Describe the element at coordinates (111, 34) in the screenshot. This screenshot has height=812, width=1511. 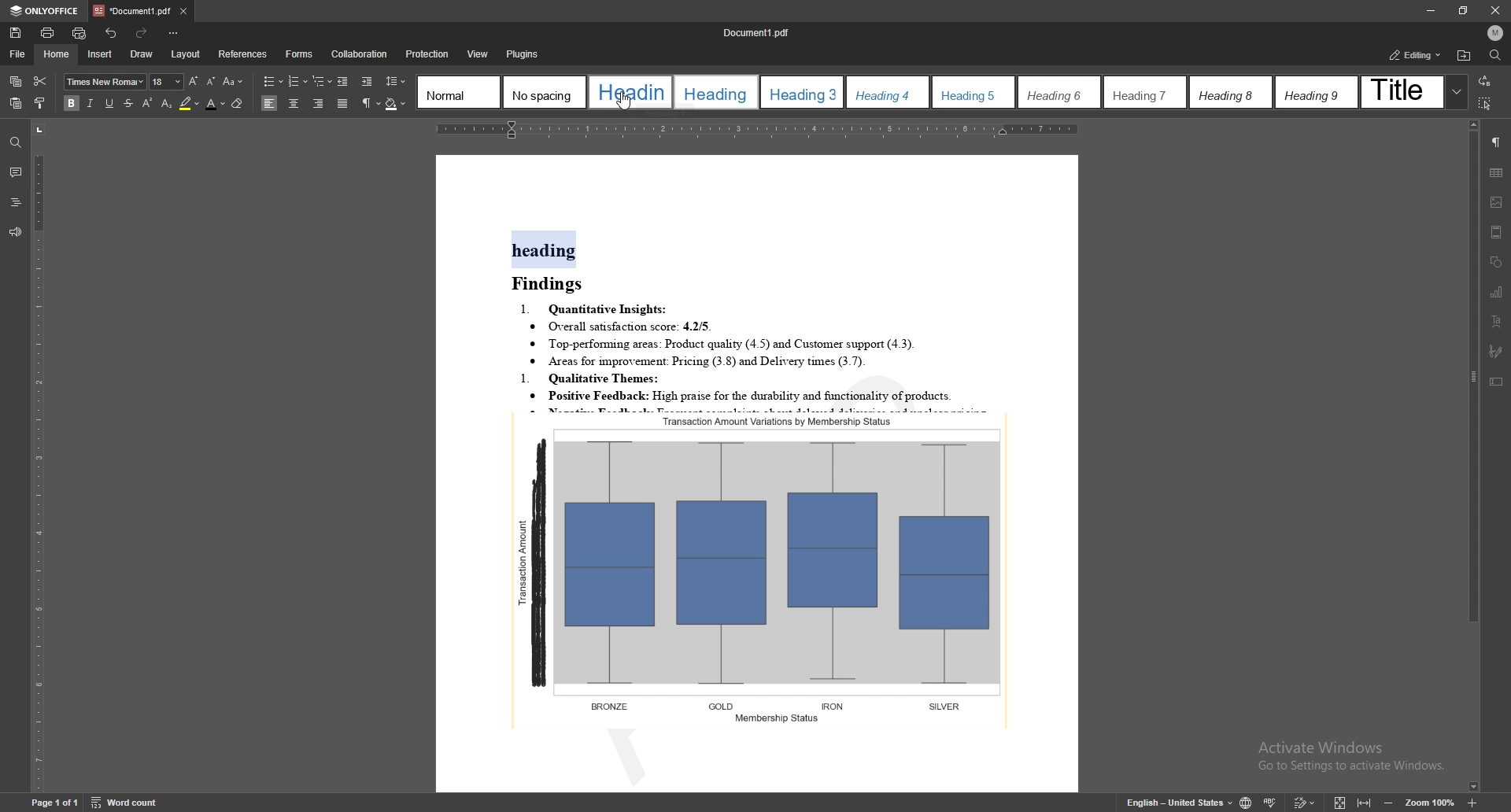
I see `undo` at that location.